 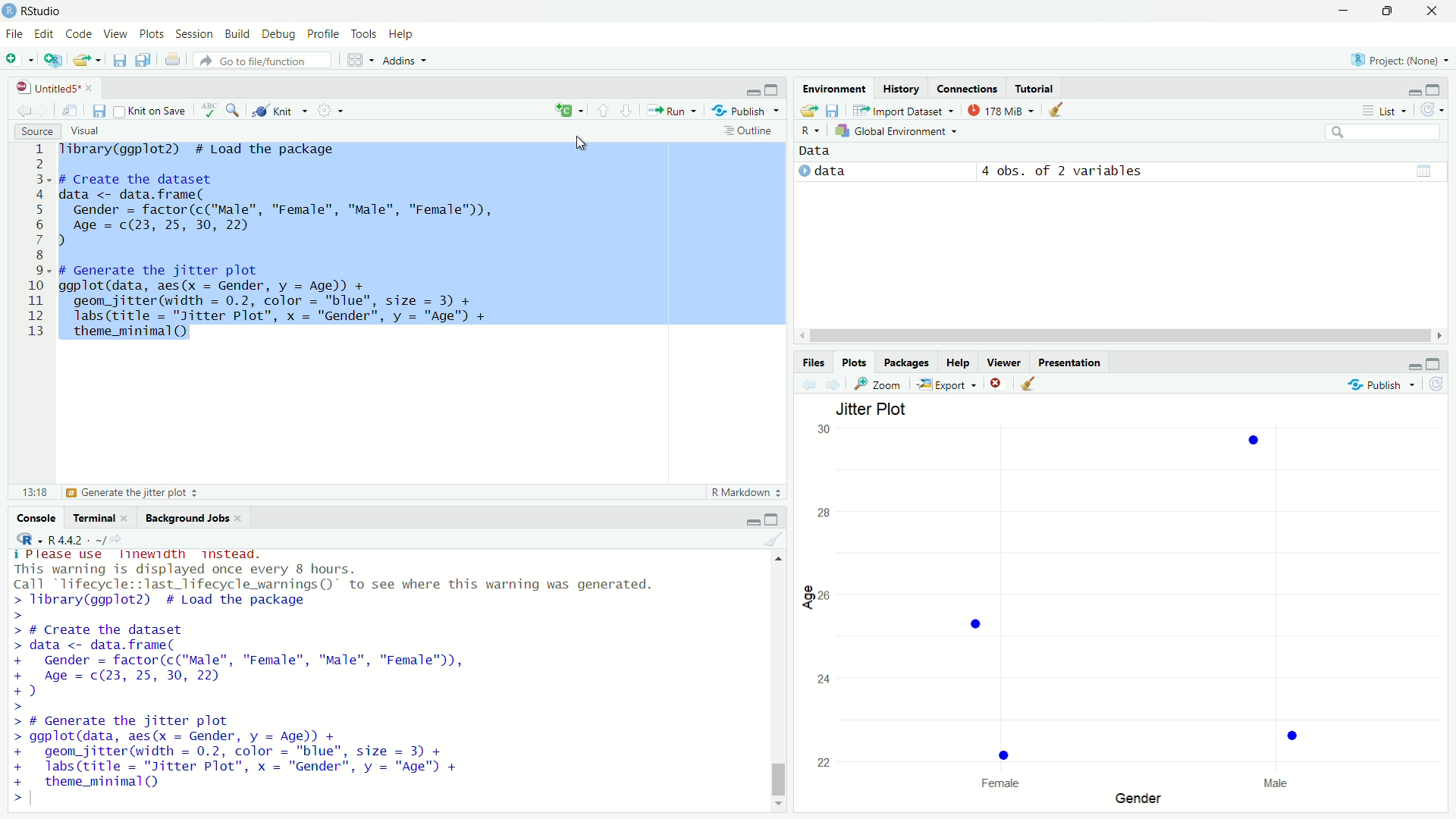 I want to click on remove the current plot, so click(x=999, y=384).